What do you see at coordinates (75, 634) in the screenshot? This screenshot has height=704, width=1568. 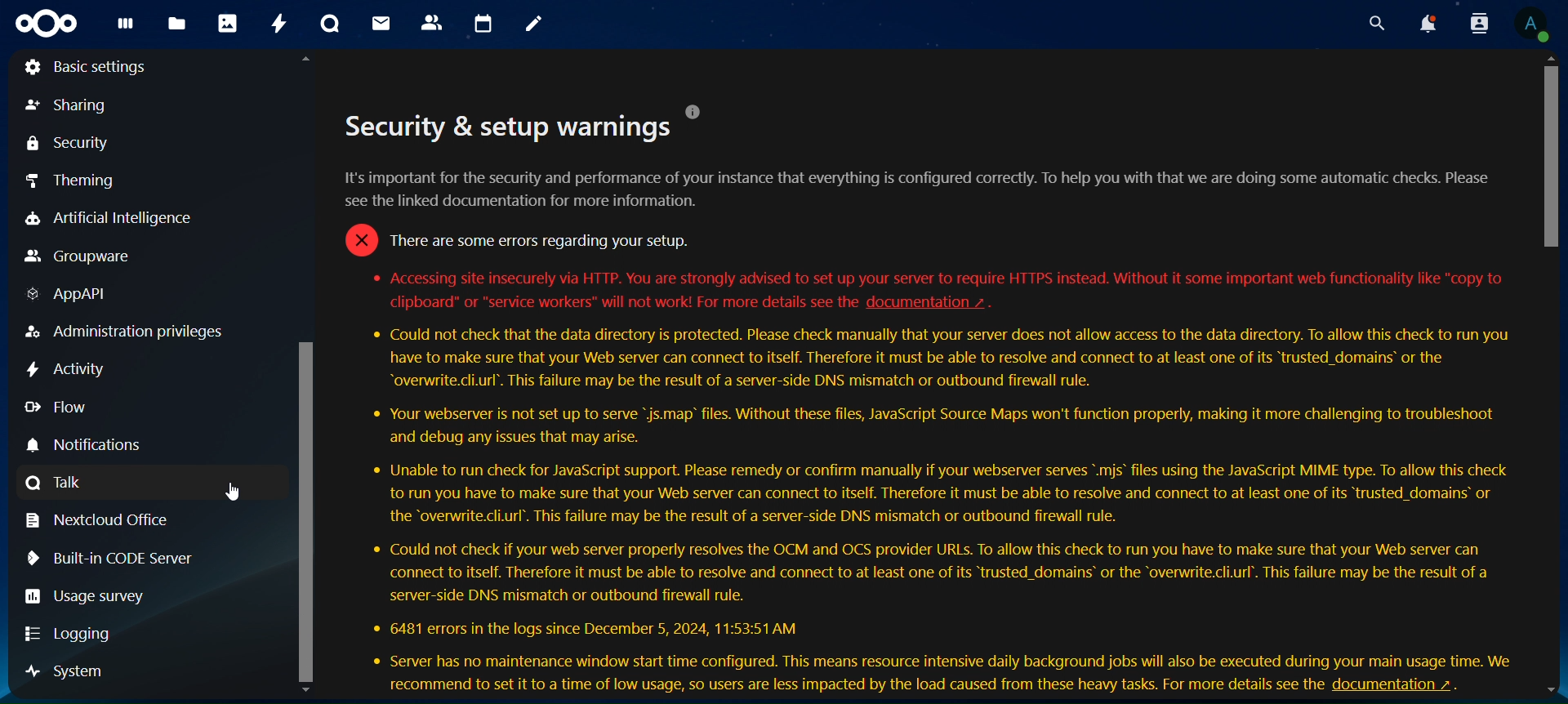 I see `Logging` at bounding box center [75, 634].